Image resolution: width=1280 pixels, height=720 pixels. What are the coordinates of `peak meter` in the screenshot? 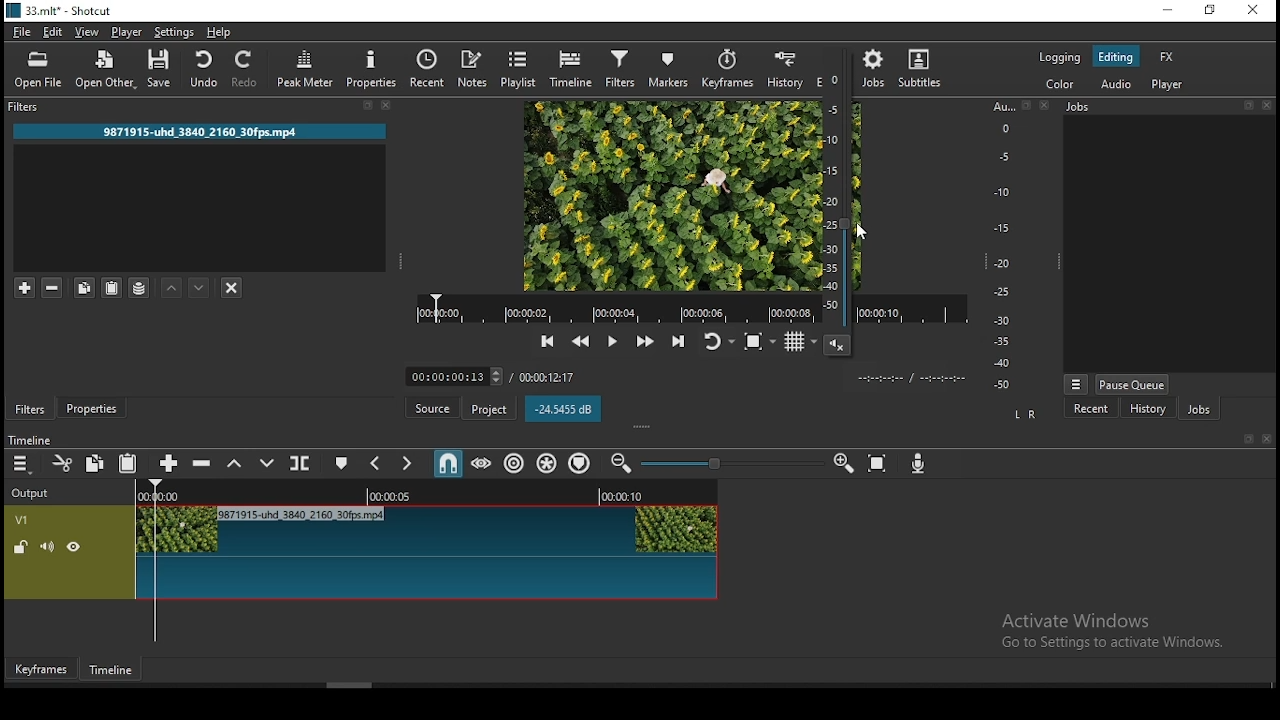 It's located at (307, 70).